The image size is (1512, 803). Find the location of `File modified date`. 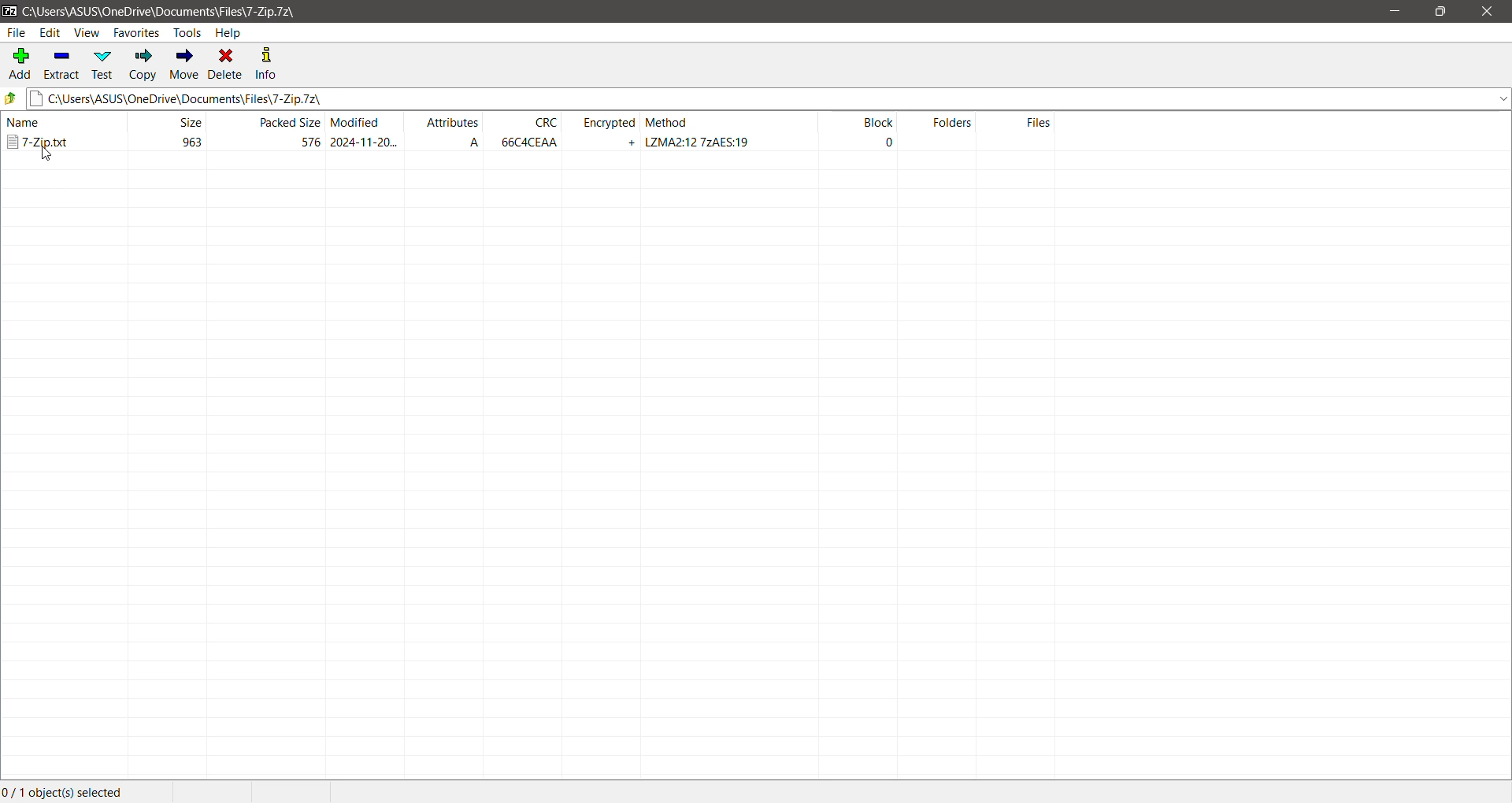

File modified date is located at coordinates (365, 132).